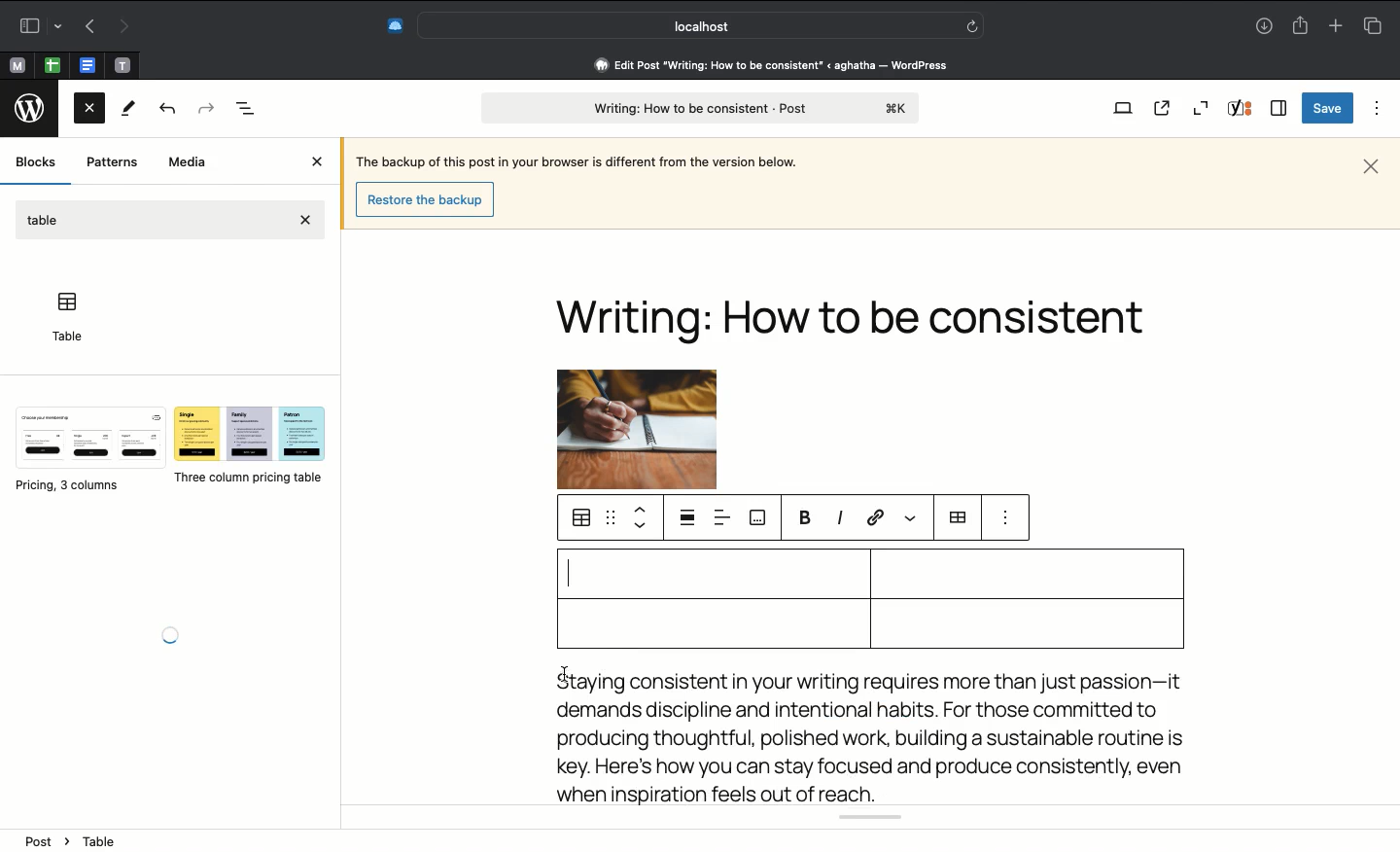 The height and width of the screenshot is (852, 1400). What do you see at coordinates (87, 28) in the screenshot?
I see `Previous page` at bounding box center [87, 28].